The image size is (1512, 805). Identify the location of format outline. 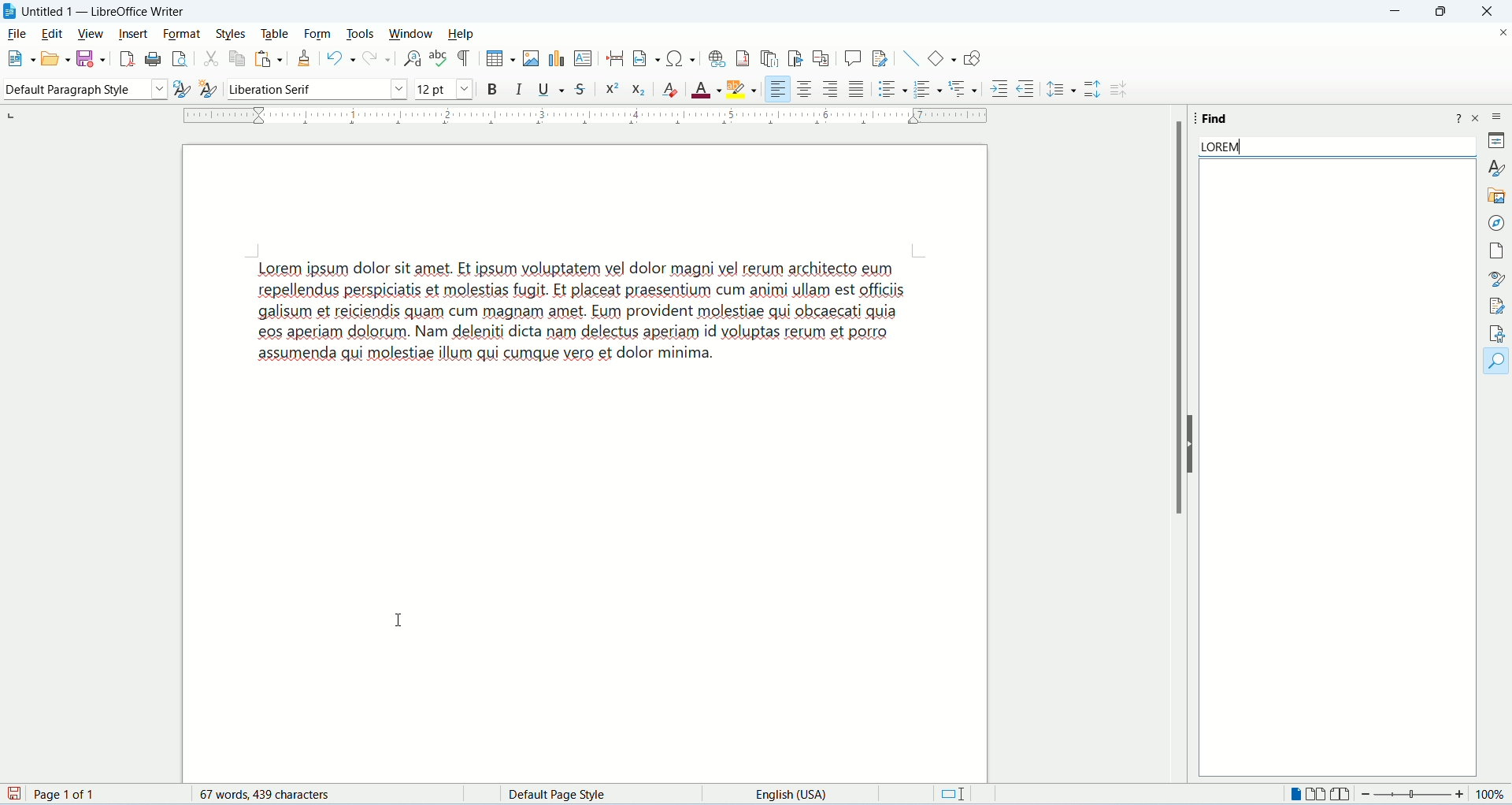
(965, 91).